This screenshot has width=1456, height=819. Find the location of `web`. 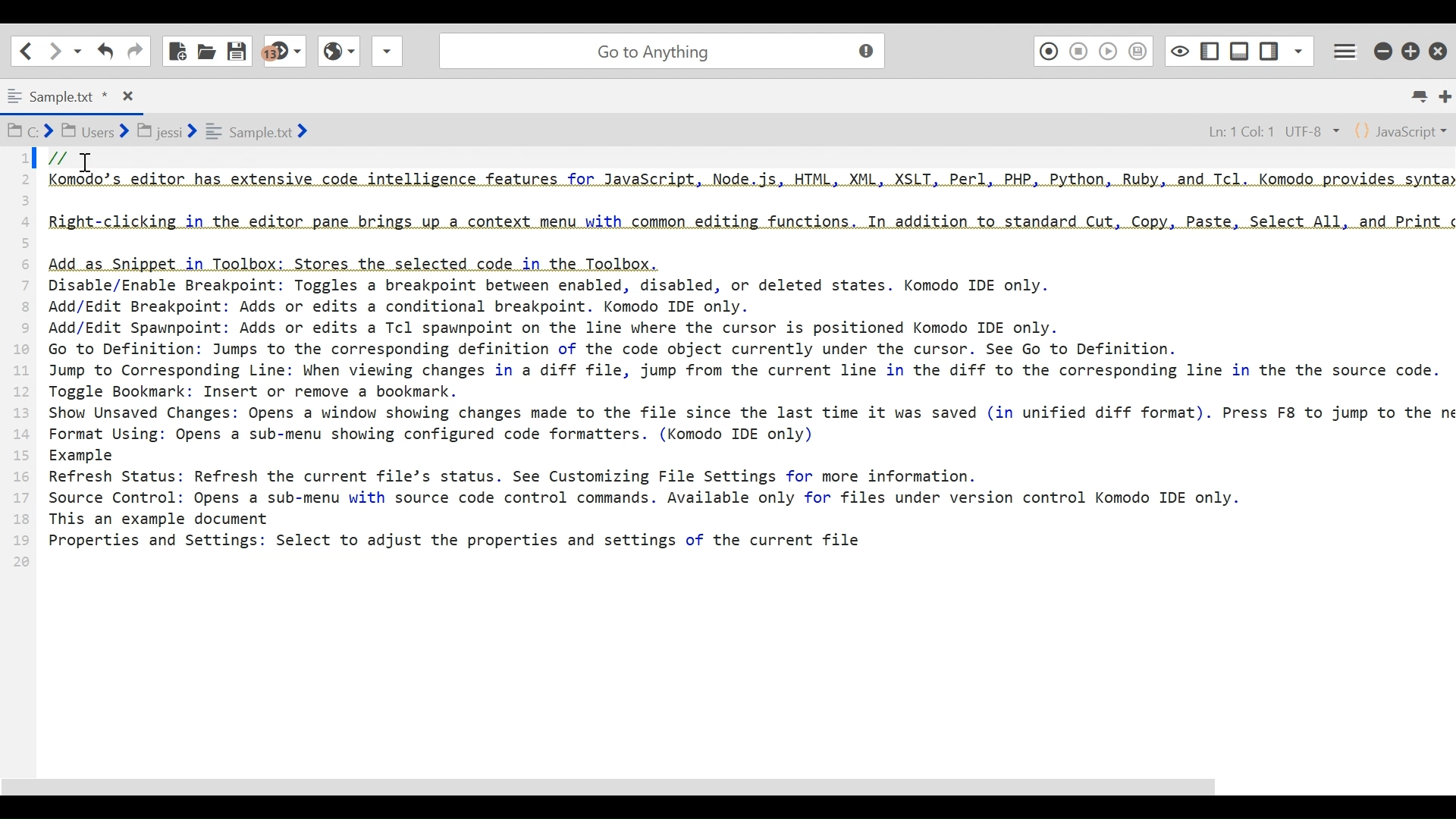

web is located at coordinates (337, 55).